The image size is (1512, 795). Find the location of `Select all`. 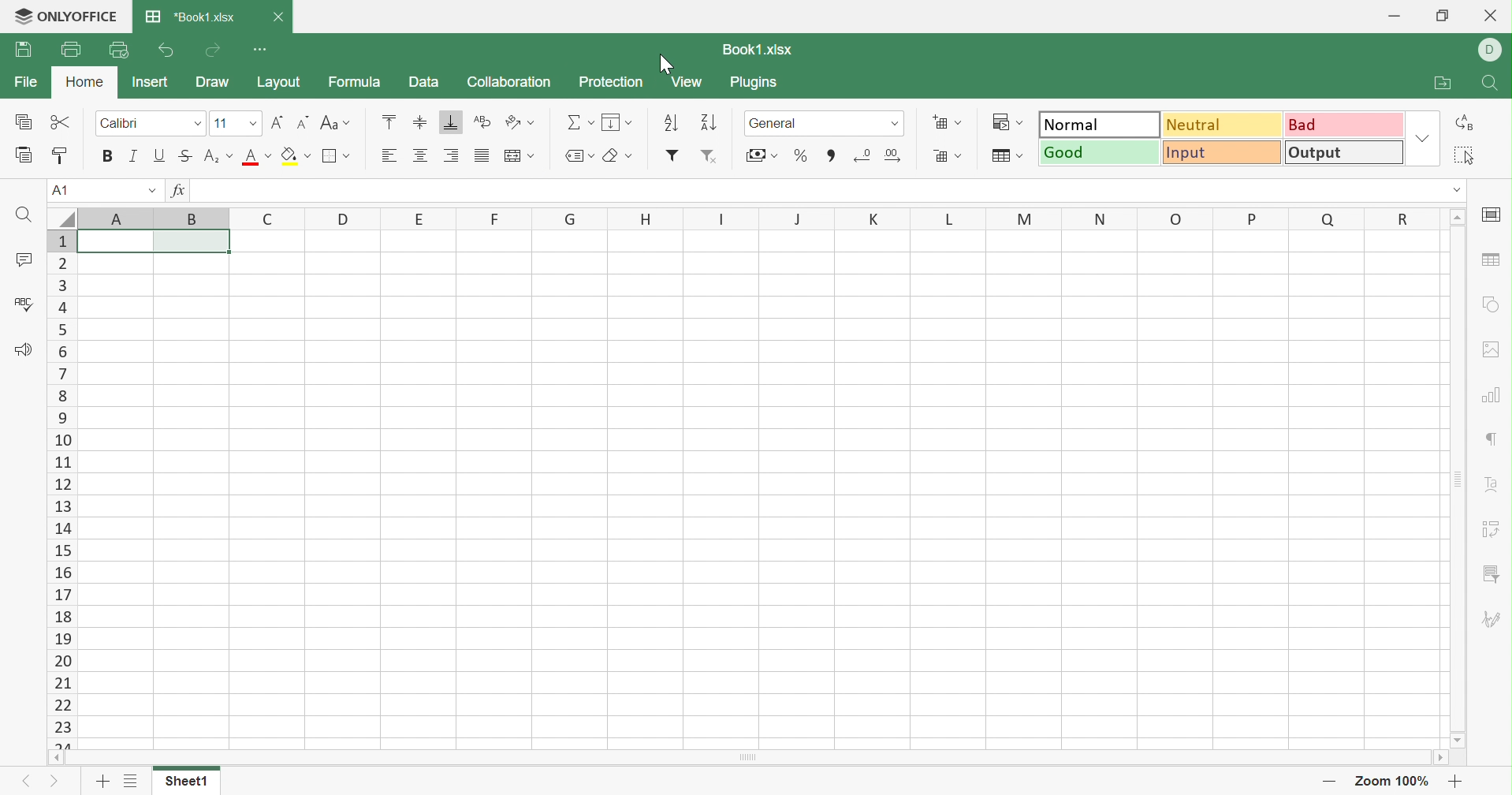

Select all is located at coordinates (1465, 155).